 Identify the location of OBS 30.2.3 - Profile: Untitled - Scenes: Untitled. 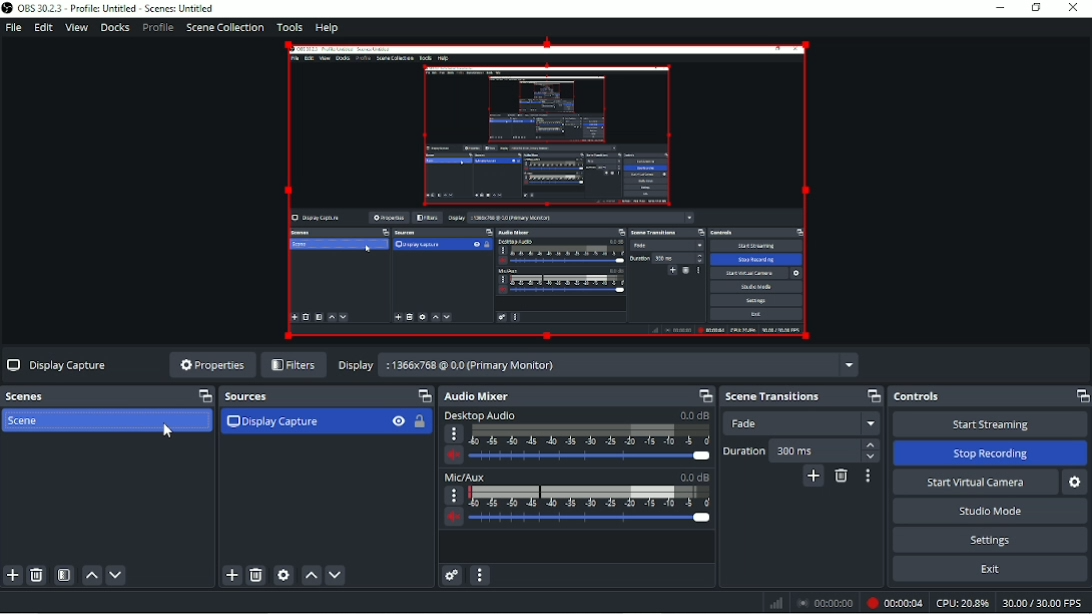
(109, 8).